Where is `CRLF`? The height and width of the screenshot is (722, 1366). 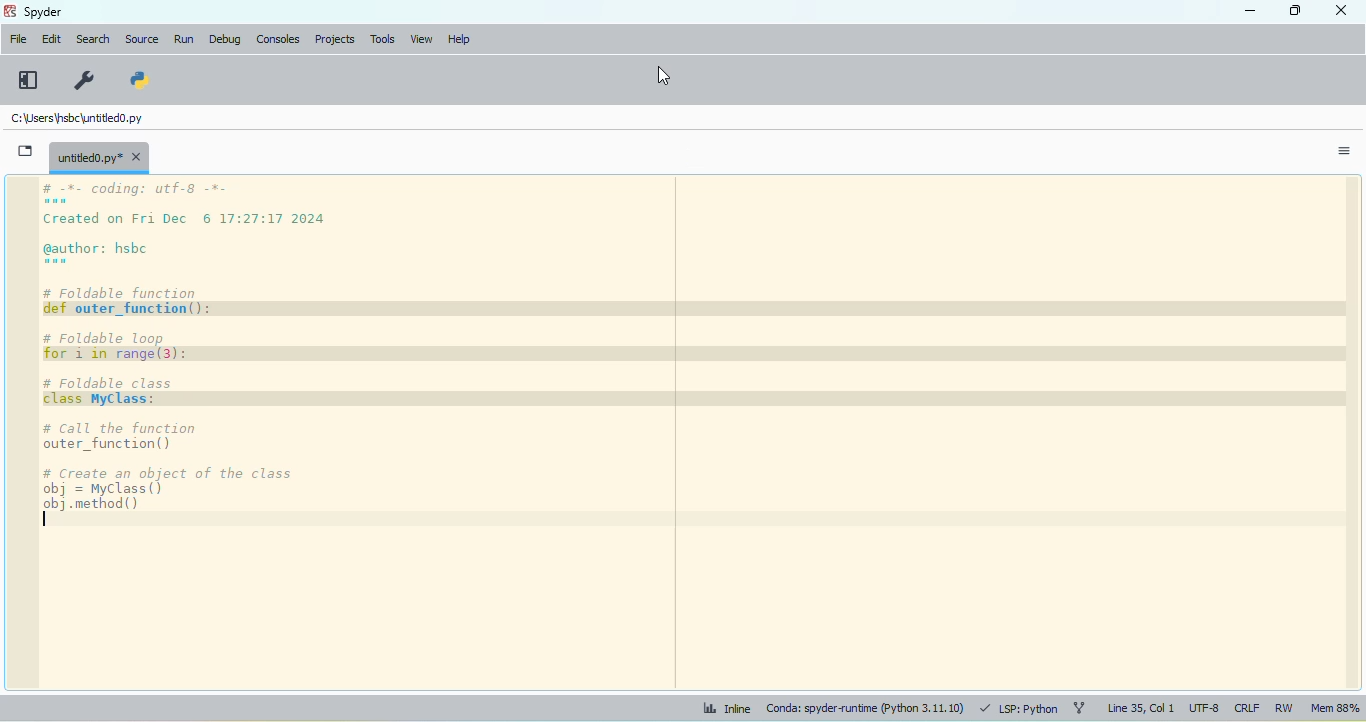
CRLF is located at coordinates (1247, 709).